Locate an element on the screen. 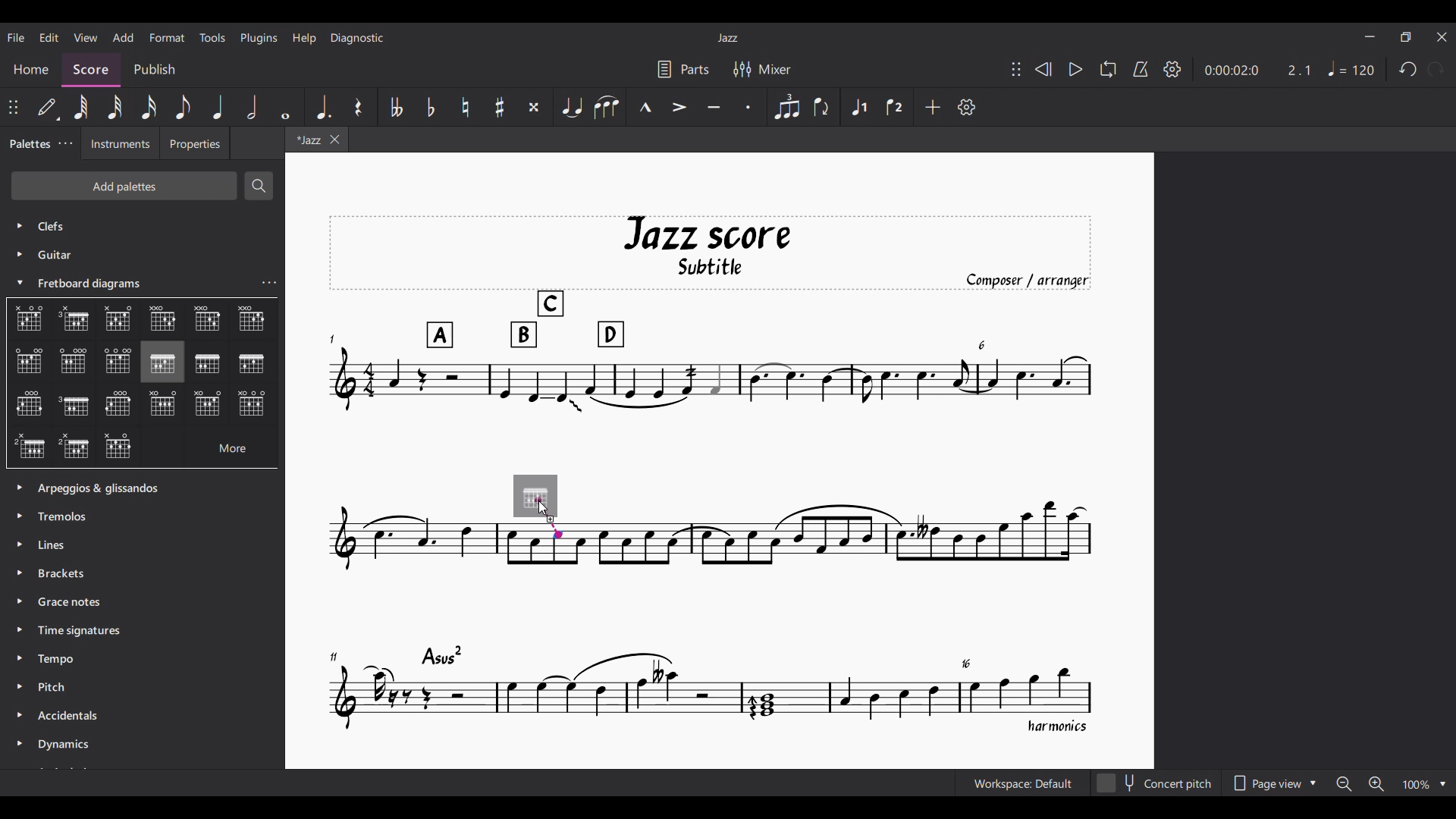 This screenshot has height=819, width=1456. Play is located at coordinates (1077, 70).